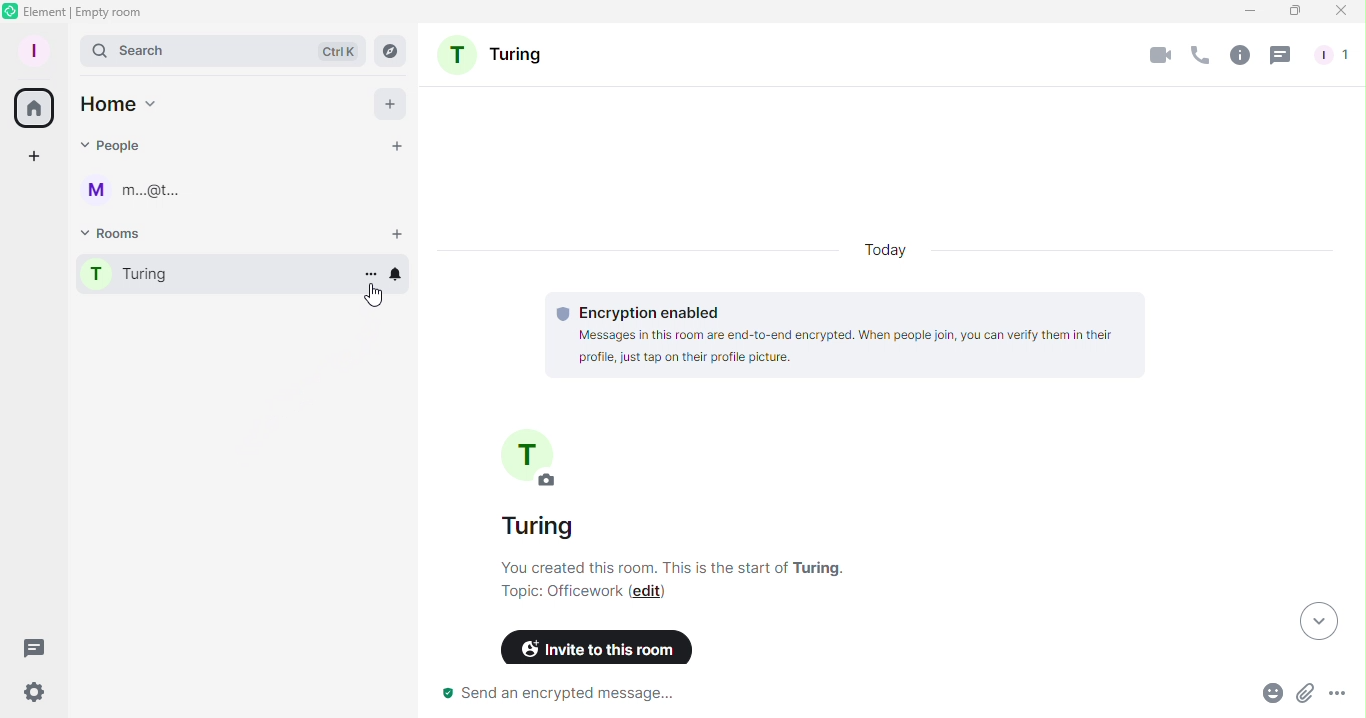 This screenshot has height=718, width=1366. I want to click on People, so click(1335, 59).